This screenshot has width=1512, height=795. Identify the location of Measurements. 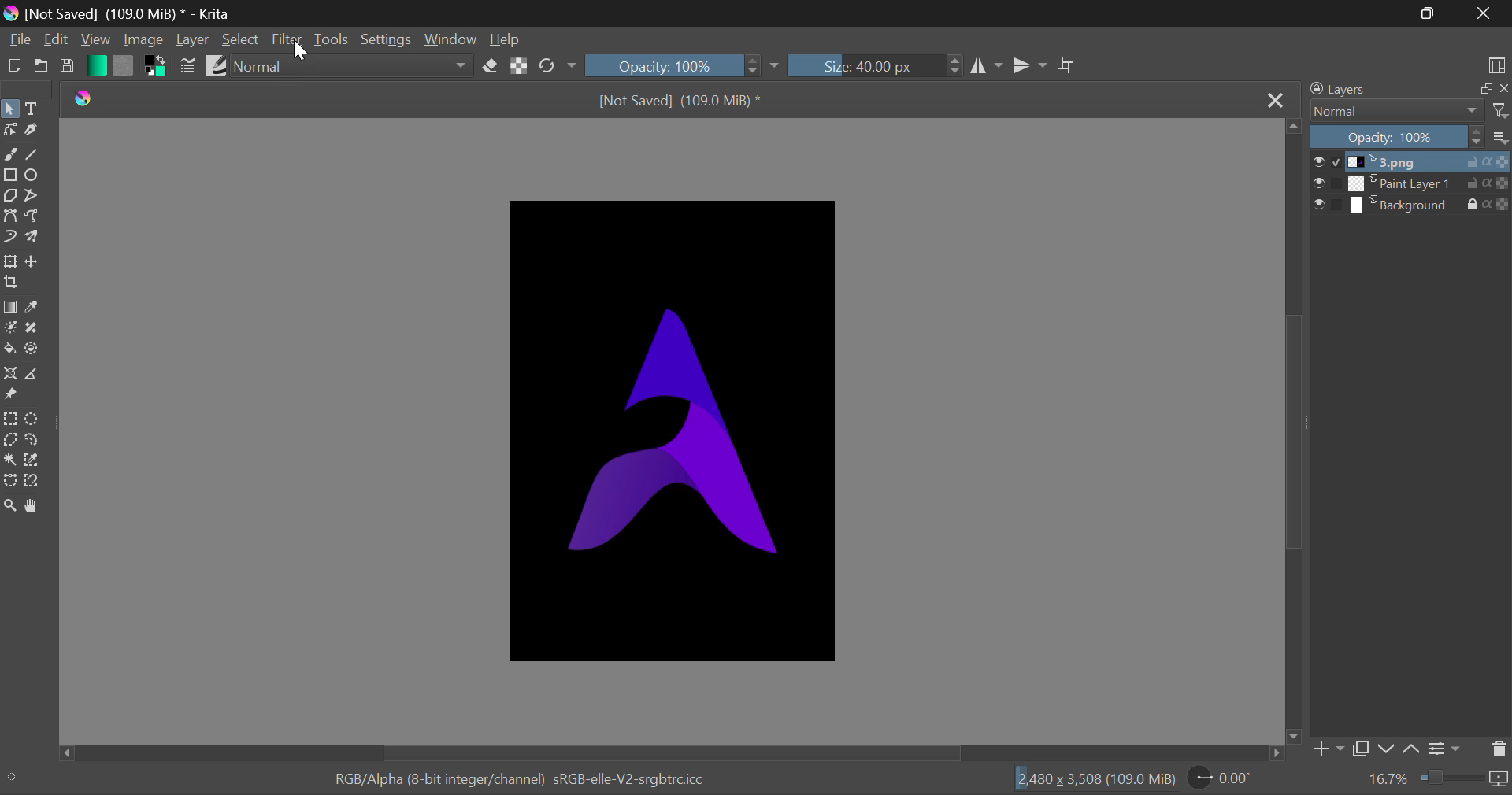
(36, 374).